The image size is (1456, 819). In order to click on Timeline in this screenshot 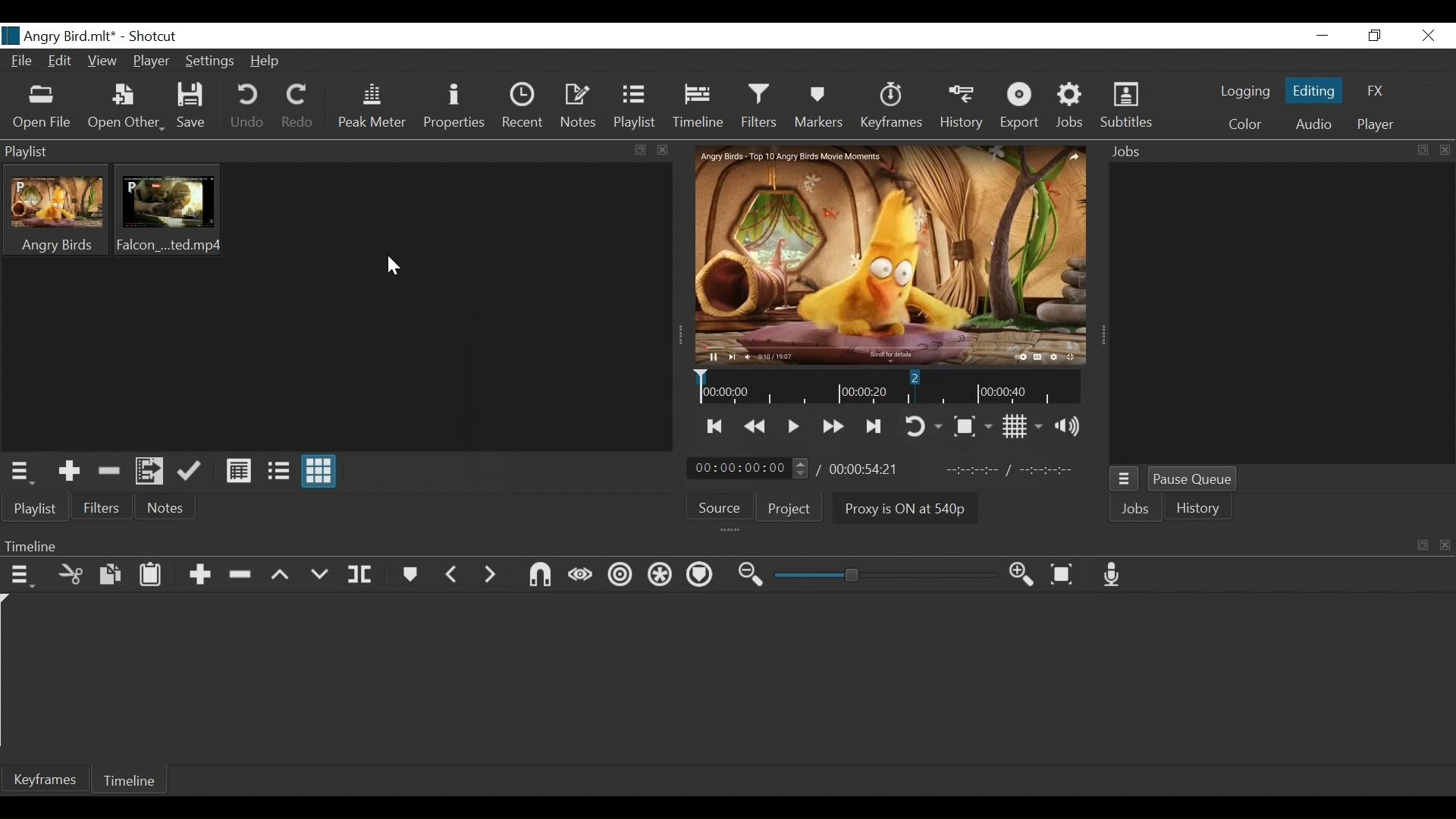, I will do `click(888, 387)`.